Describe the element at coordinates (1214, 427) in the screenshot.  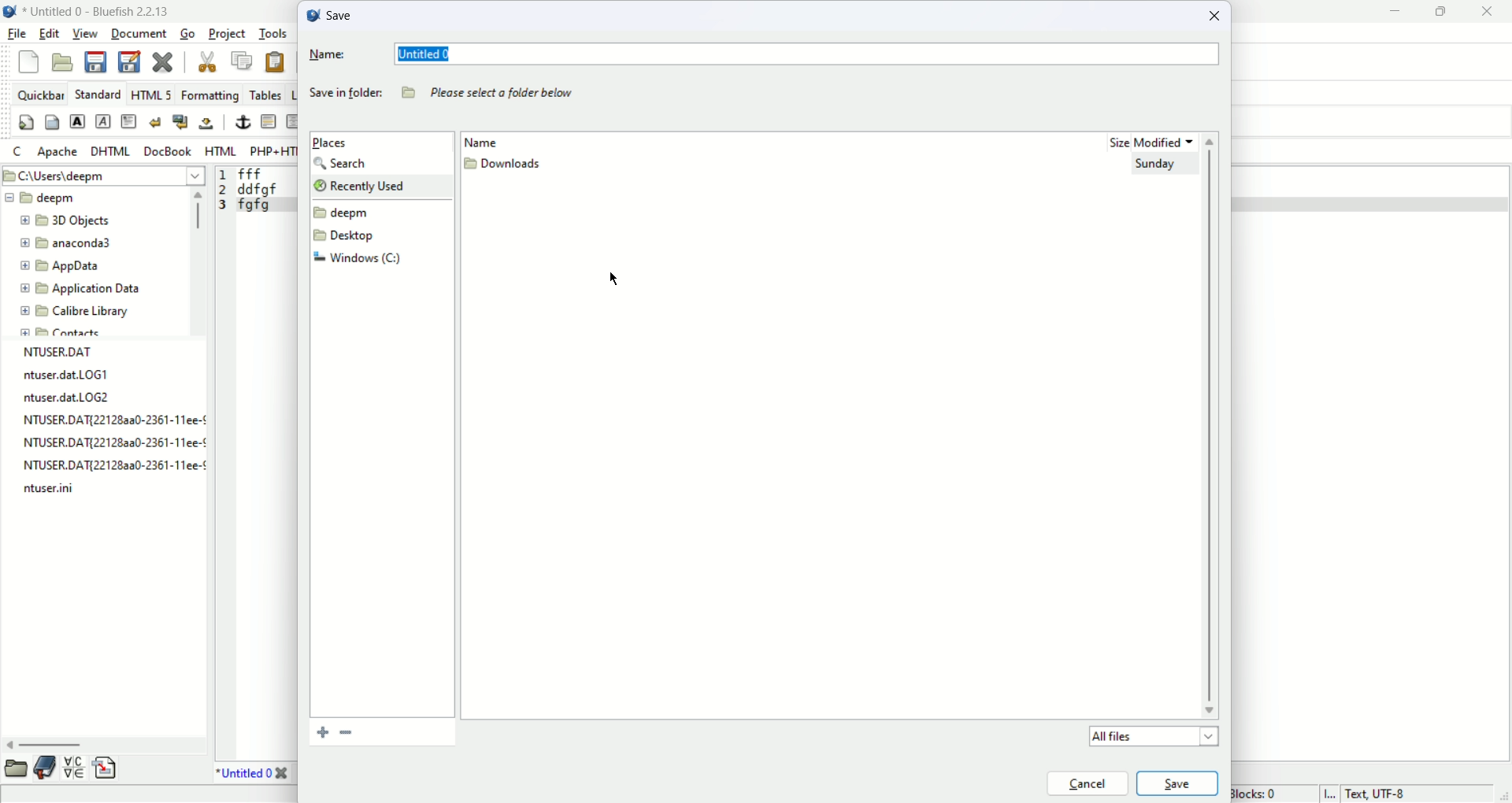
I see `vertical scroll bar` at that location.